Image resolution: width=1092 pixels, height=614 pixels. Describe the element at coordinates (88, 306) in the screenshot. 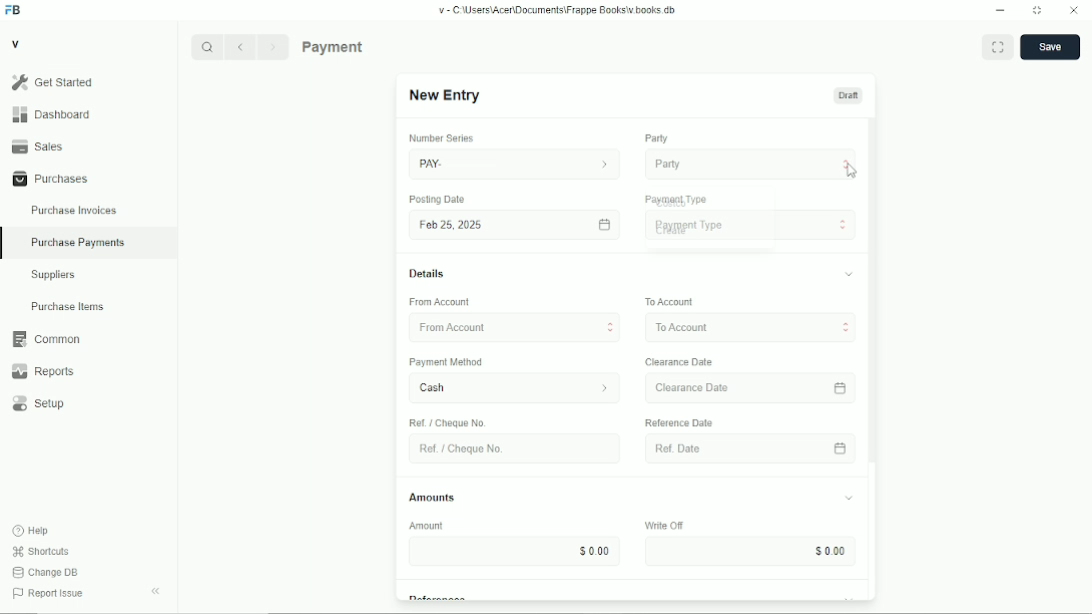

I see `Purchase Items` at that location.